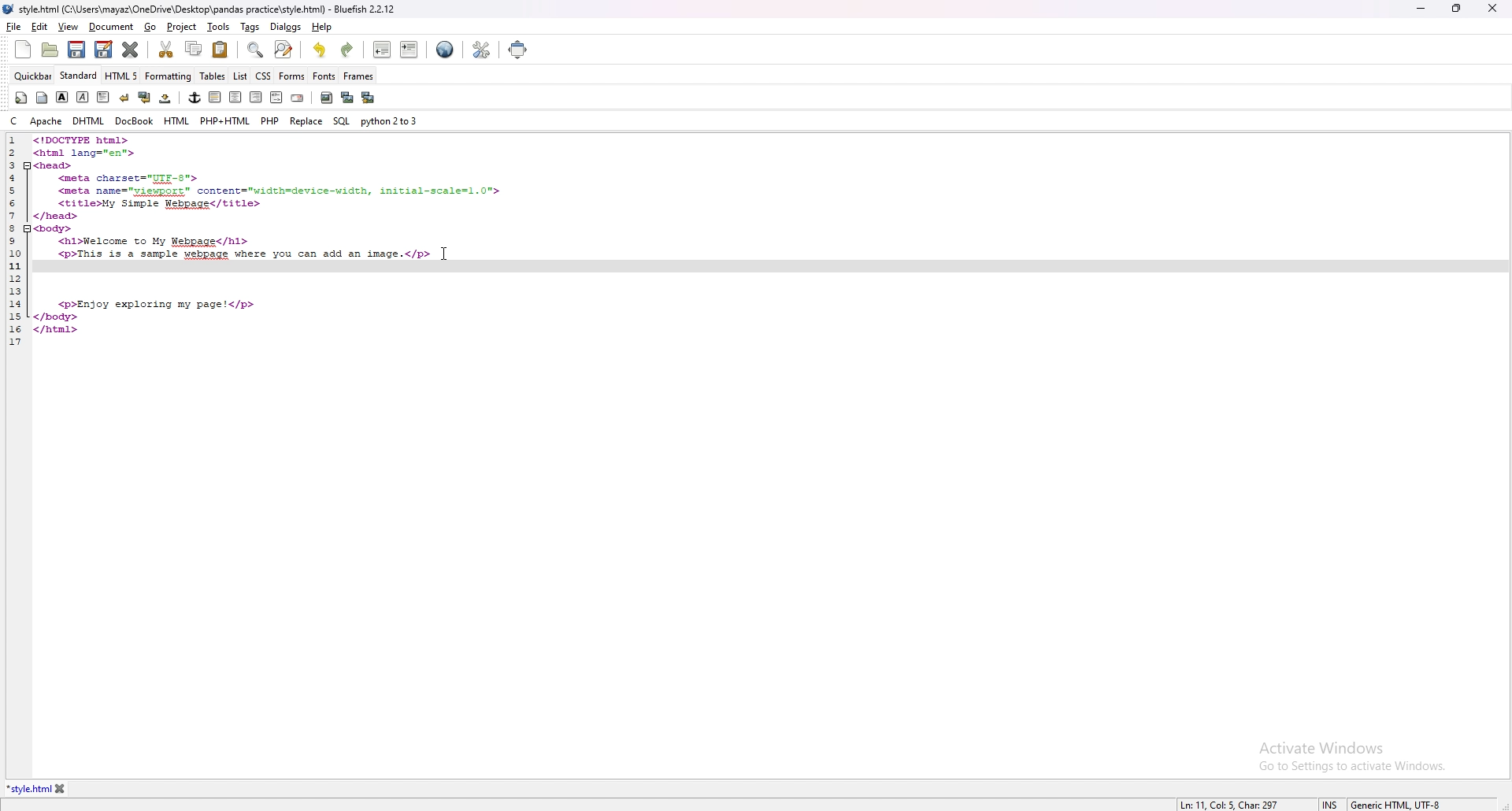  I want to click on cursor, so click(443, 252).